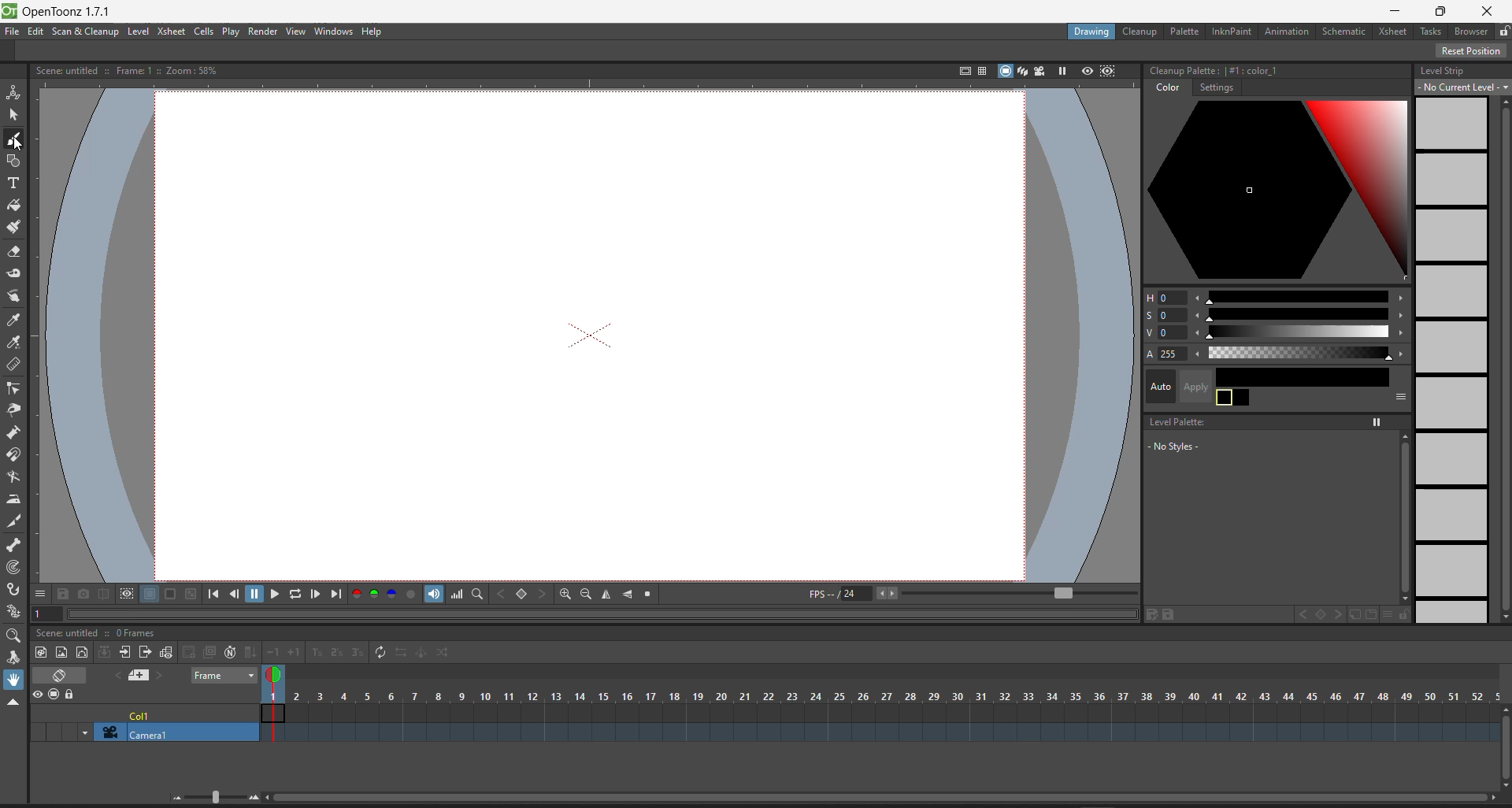 The width and height of the screenshot is (1512, 808). What do you see at coordinates (170, 29) in the screenshot?
I see `xsheet` at bounding box center [170, 29].